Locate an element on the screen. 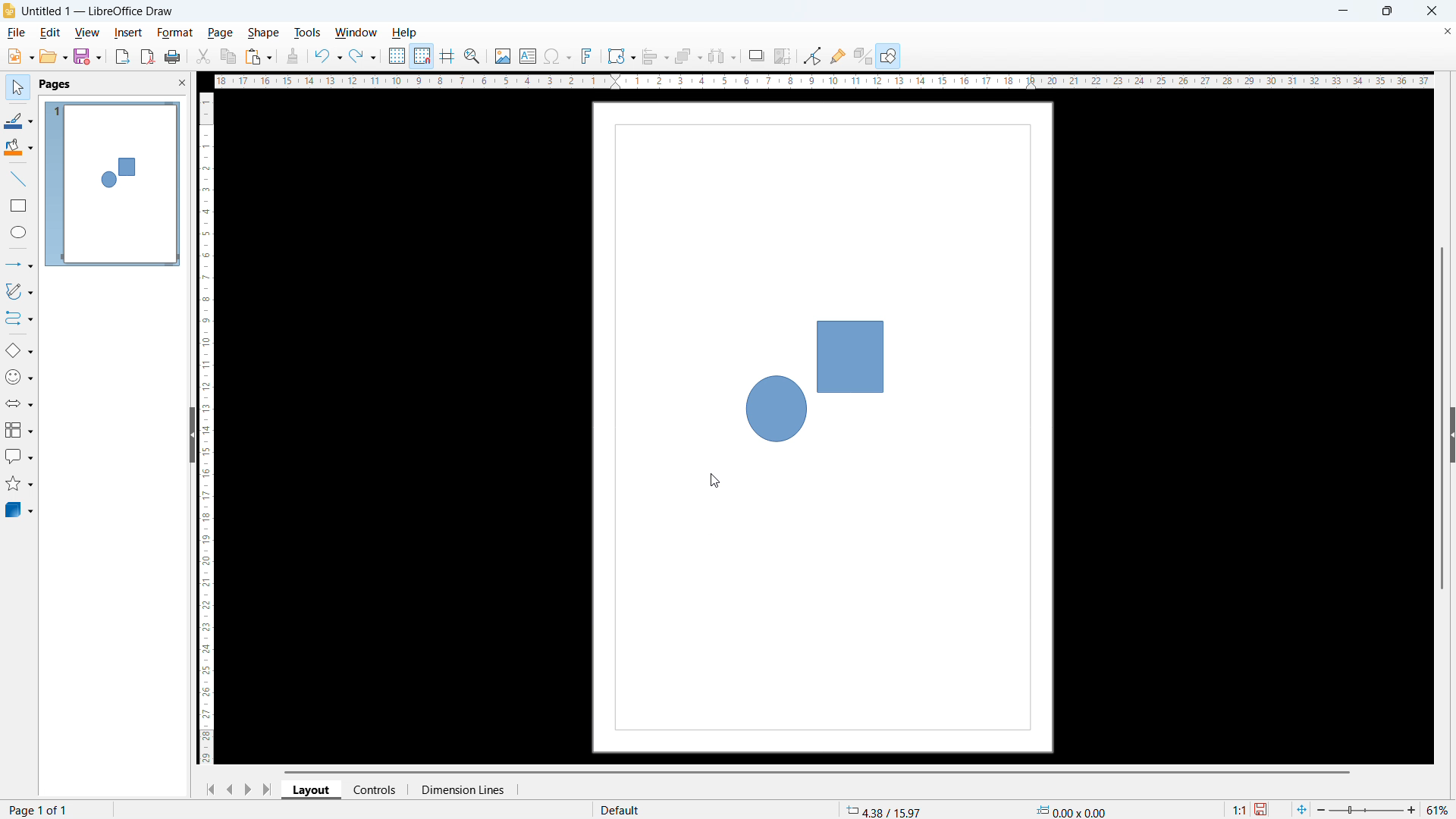 This screenshot has width=1456, height=819. new is located at coordinates (21, 56).